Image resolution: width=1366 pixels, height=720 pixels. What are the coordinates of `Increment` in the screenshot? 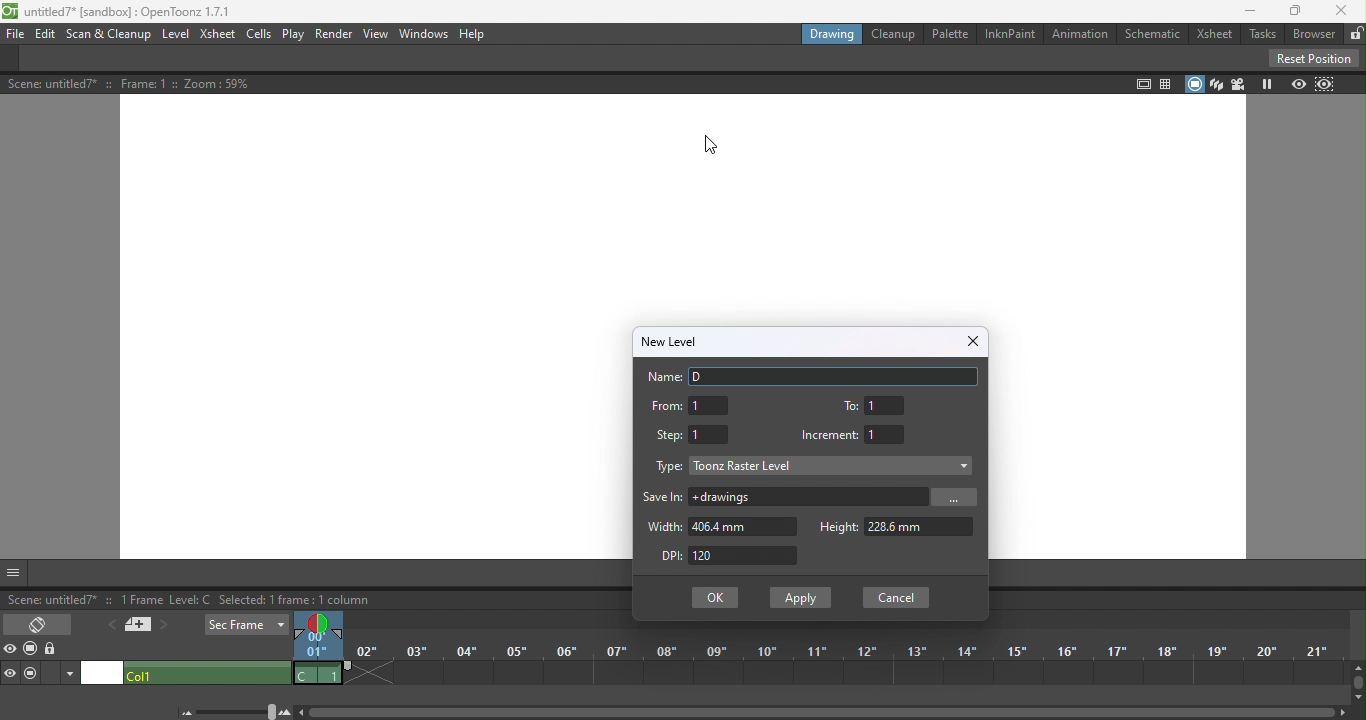 It's located at (857, 435).